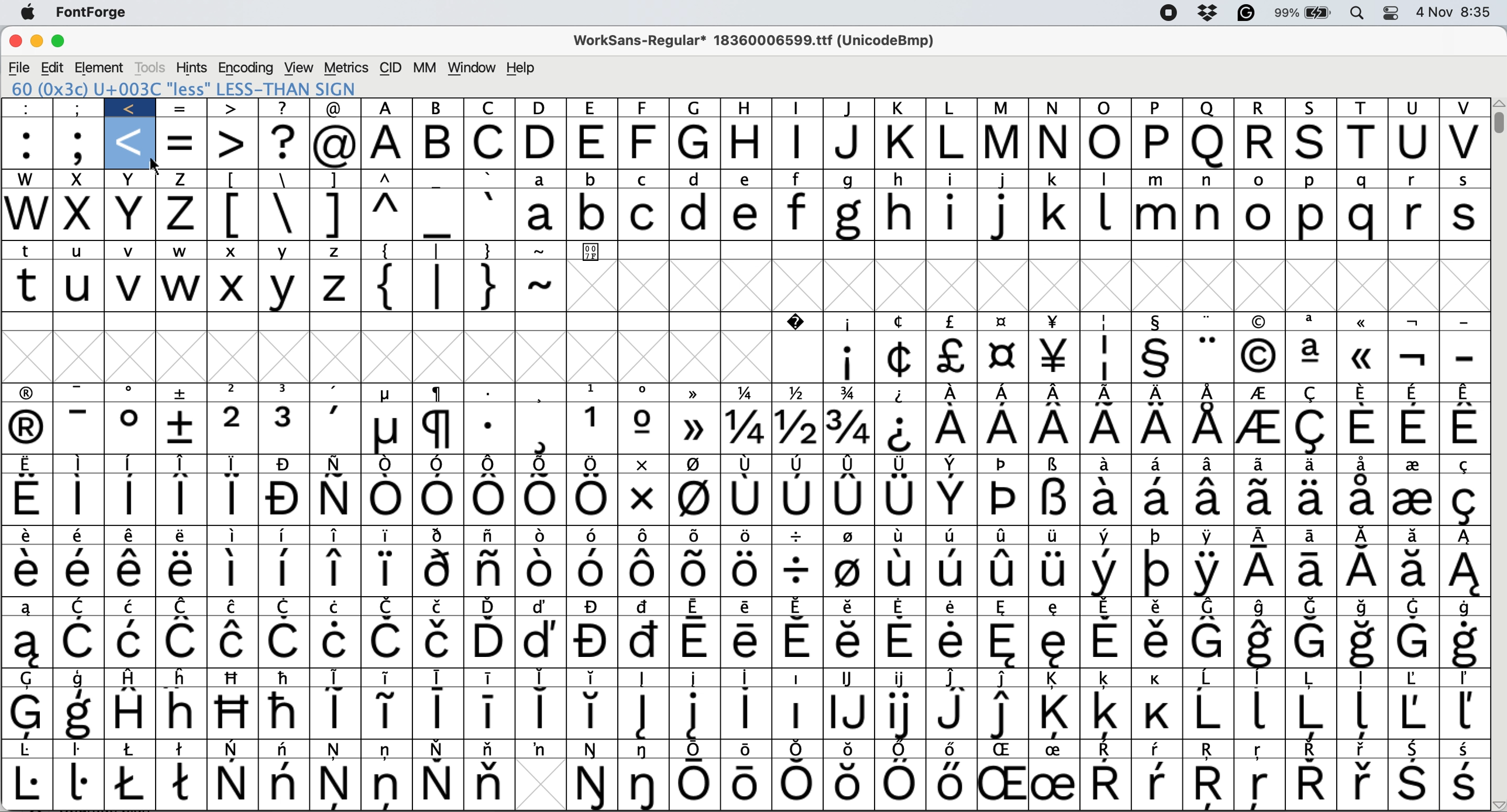 Image resolution: width=1507 pixels, height=812 pixels. What do you see at coordinates (1465, 392) in the screenshot?
I see `Symbol` at bounding box center [1465, 392].